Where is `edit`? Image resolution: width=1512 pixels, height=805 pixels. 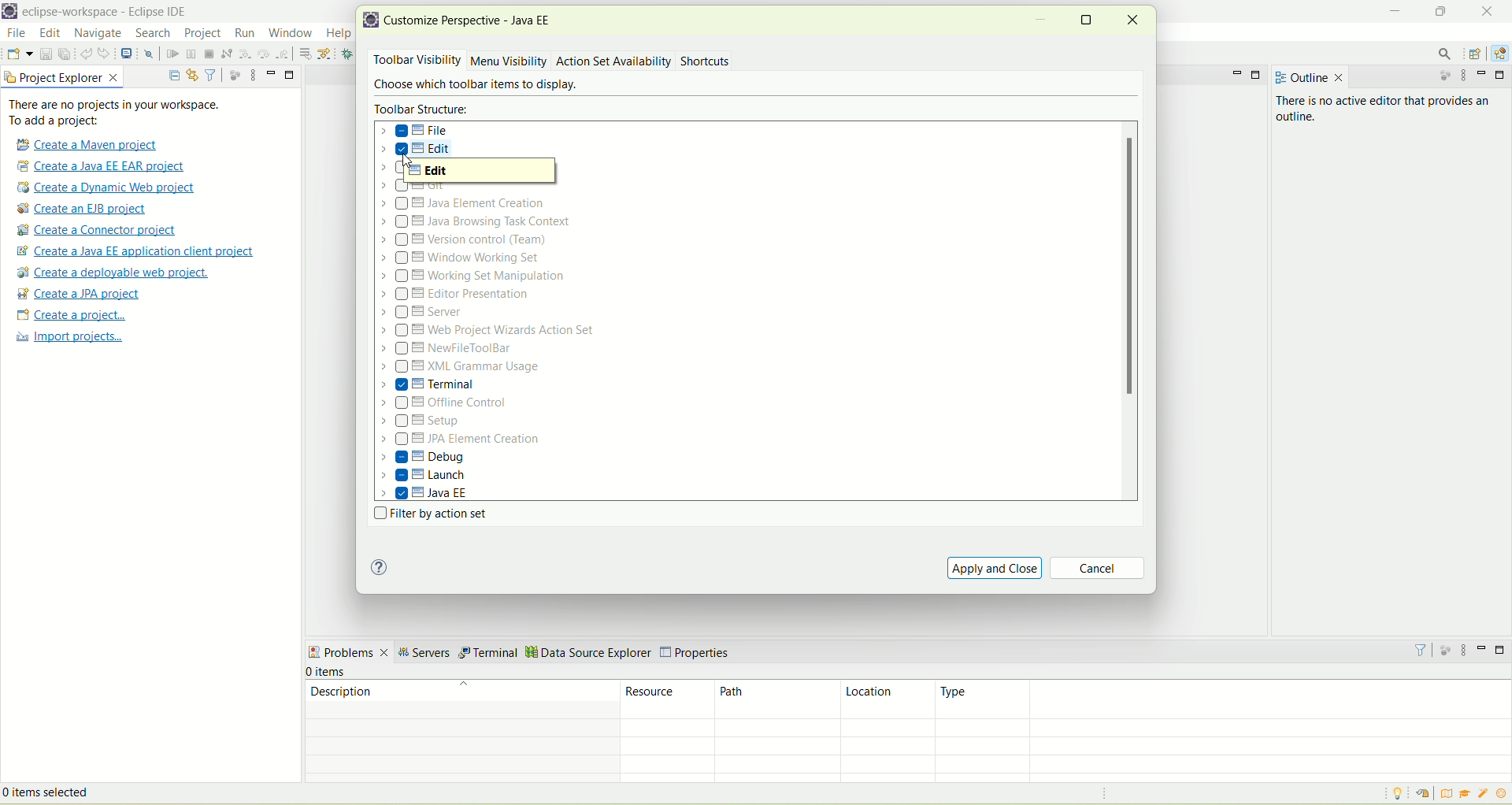 edit is located at coordinates (480, 171).